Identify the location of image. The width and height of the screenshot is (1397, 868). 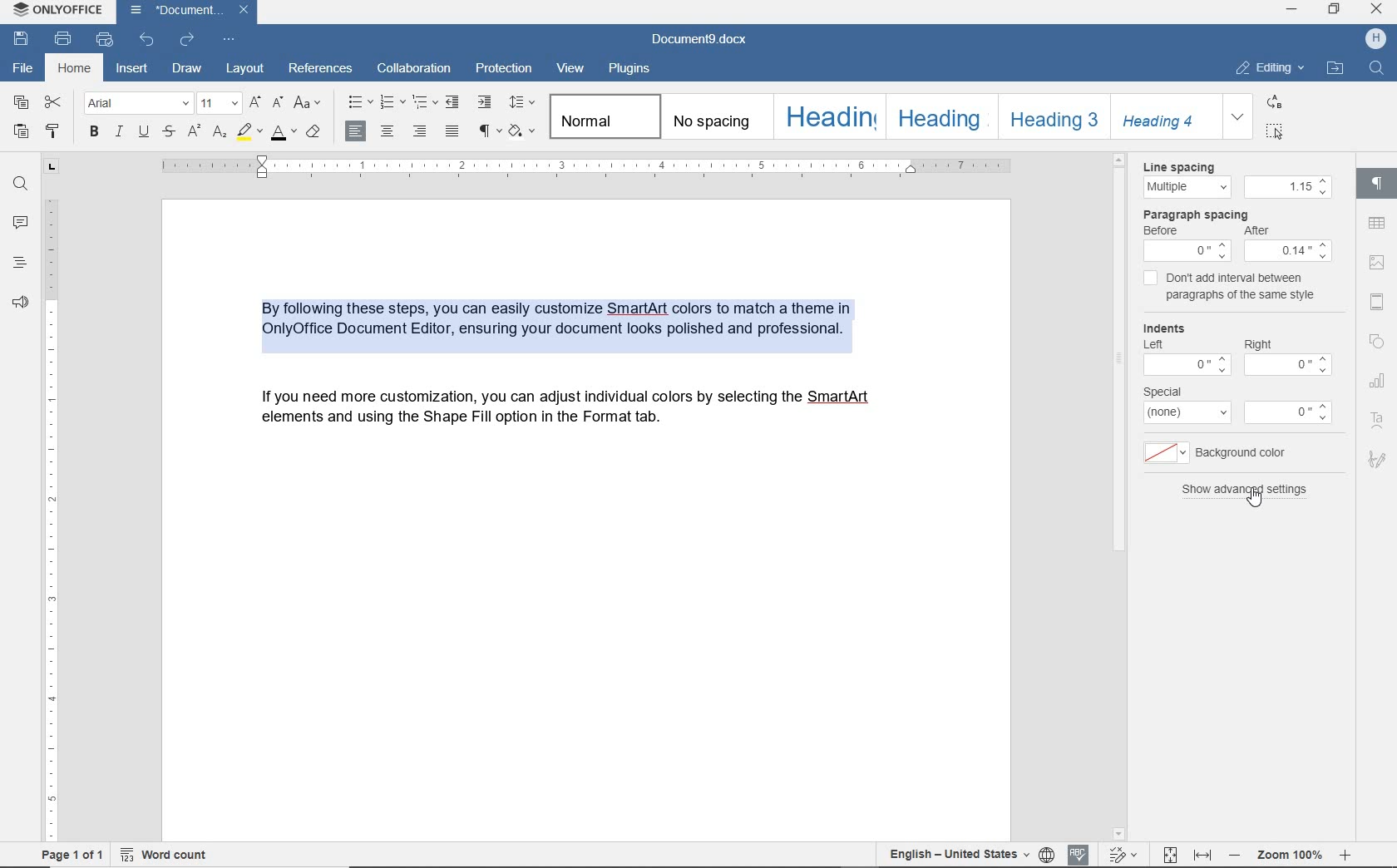
(1378, 261).